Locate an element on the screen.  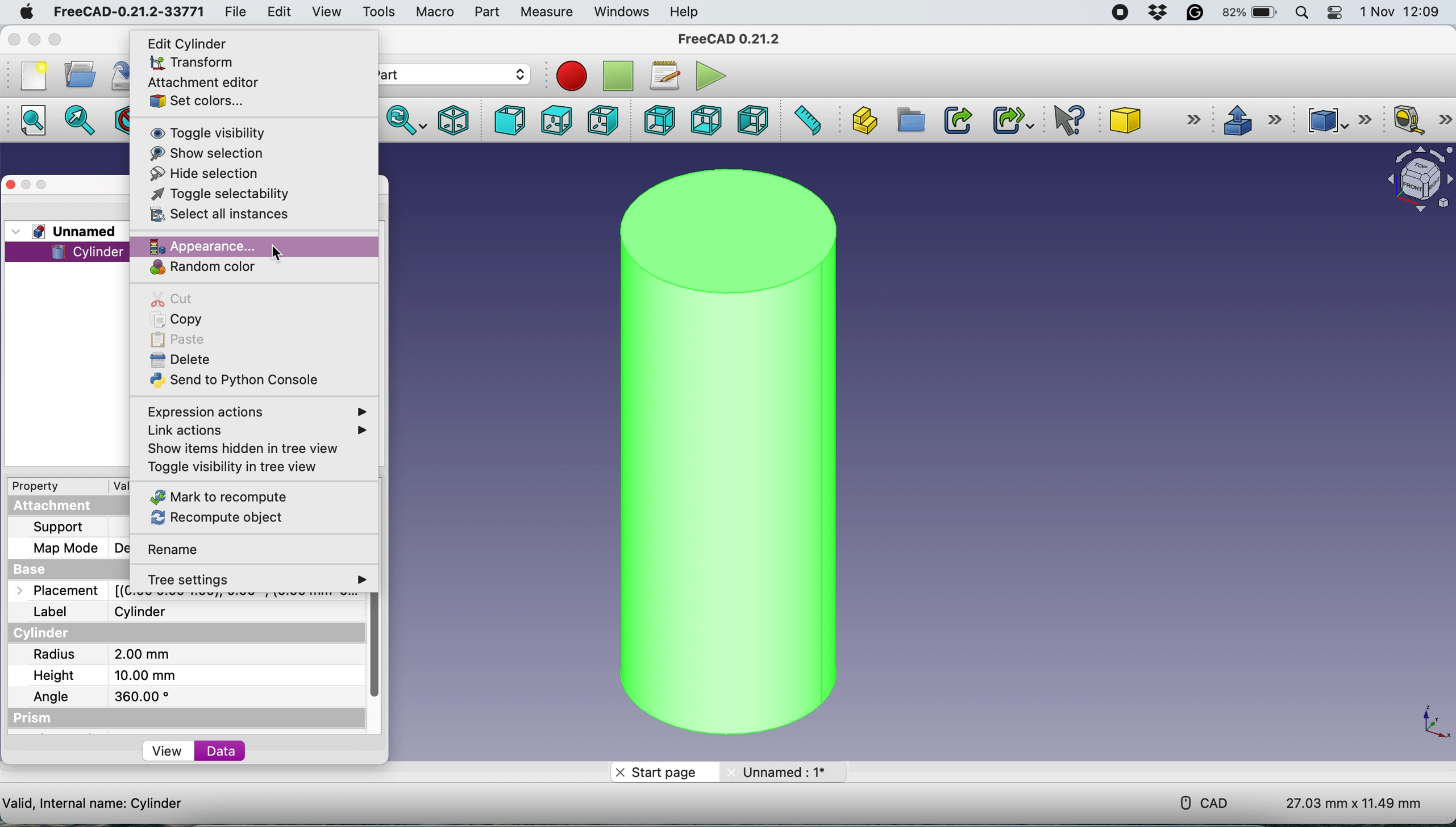
fit selection is located at coordinates (80, 122).